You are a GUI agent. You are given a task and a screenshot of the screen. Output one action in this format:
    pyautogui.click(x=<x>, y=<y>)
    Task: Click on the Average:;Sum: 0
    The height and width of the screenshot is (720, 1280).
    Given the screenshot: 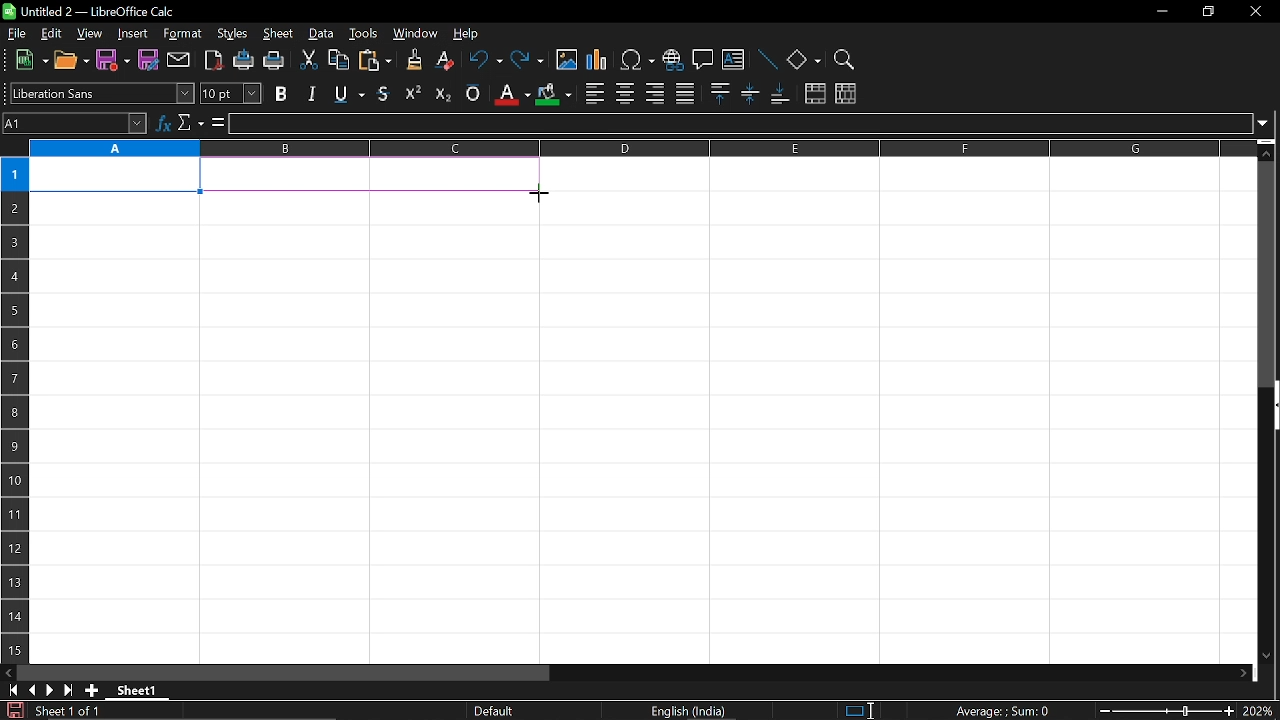 What is the action you would take?
    pyautogui.click(x=1002, y=710)
    